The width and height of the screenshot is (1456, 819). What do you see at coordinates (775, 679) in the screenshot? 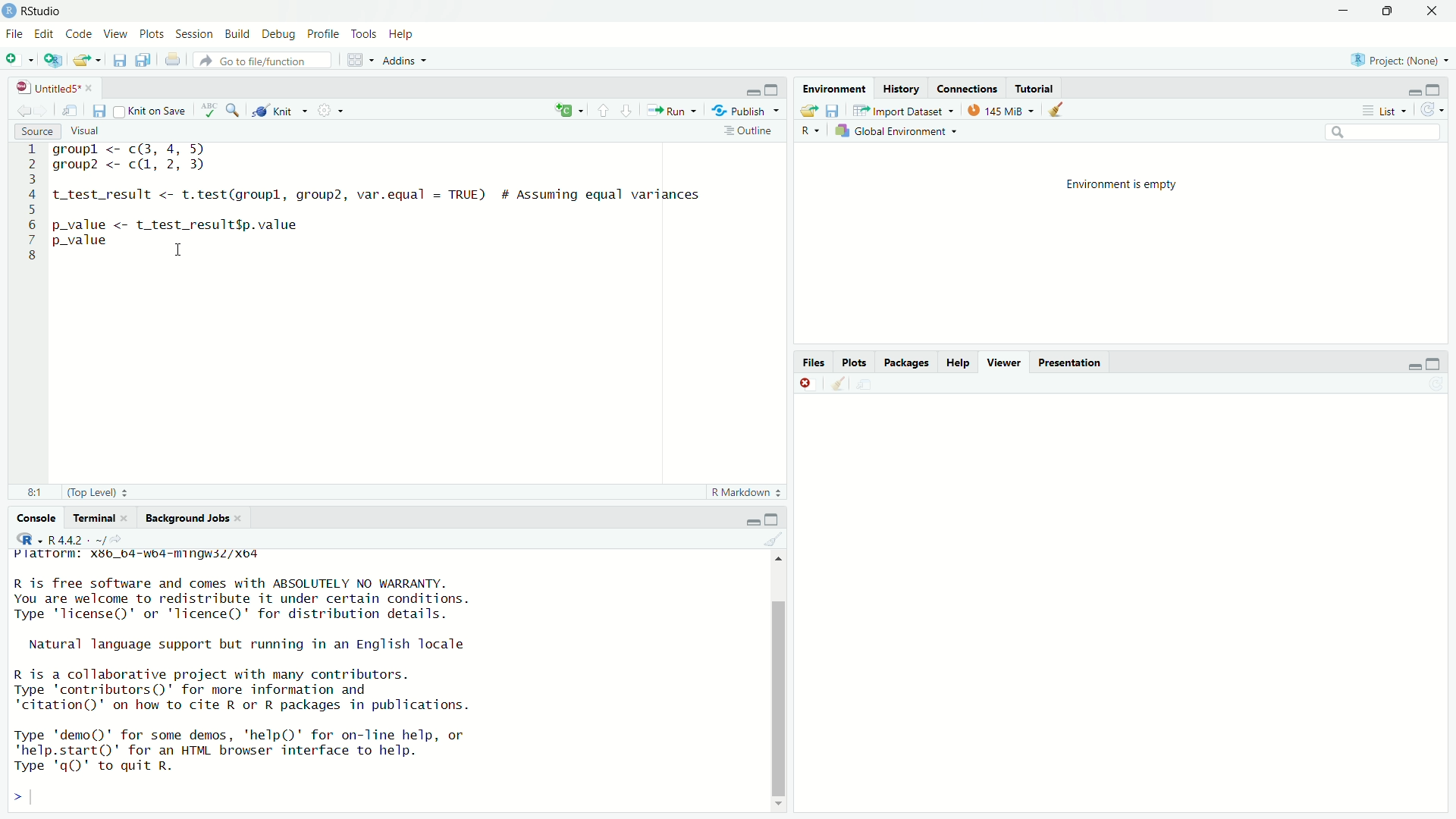
I see `scroll bar` at bounding box center [775, 679].